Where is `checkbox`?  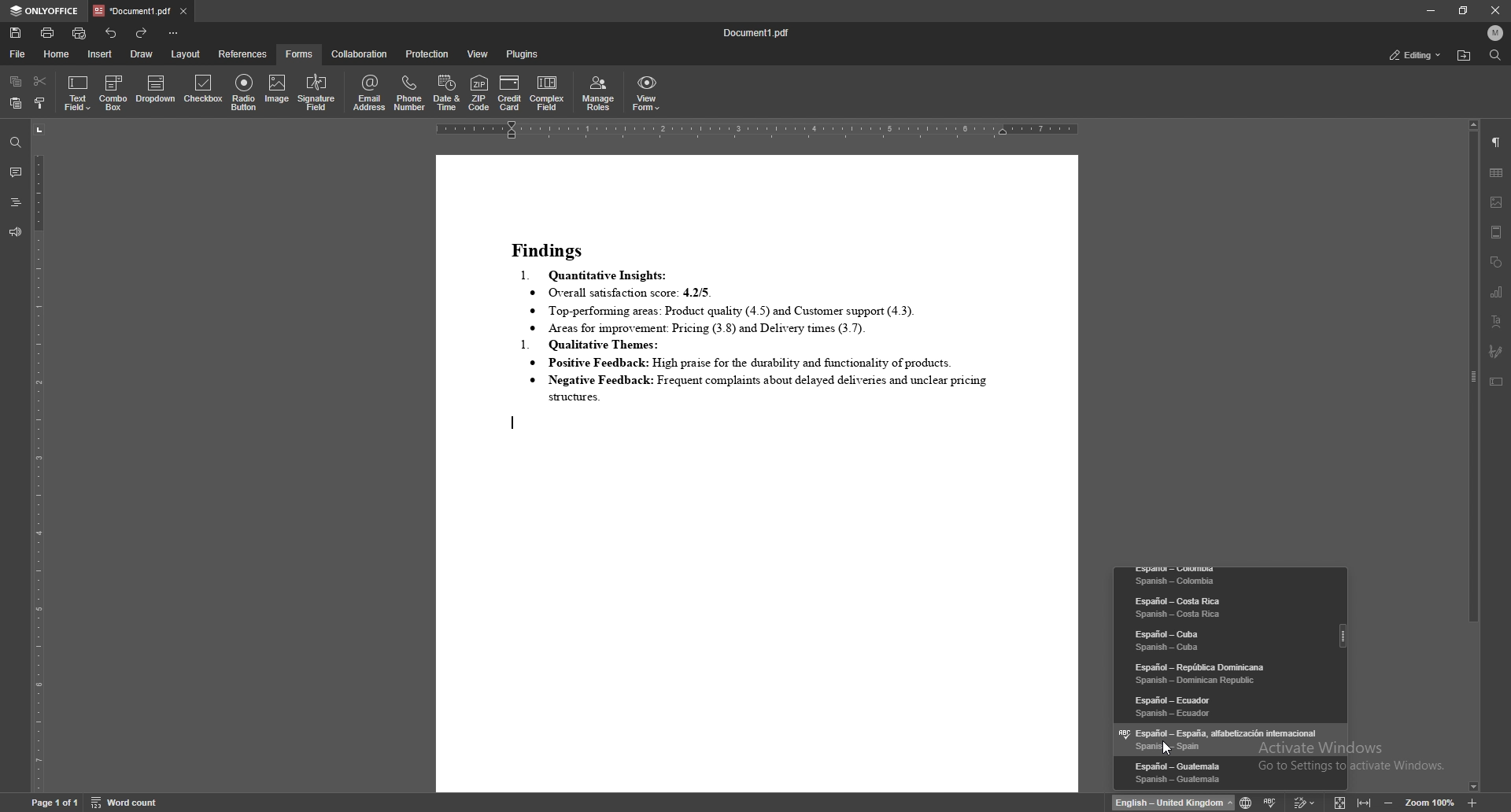
checkbox is located at coordinates (203, 91).